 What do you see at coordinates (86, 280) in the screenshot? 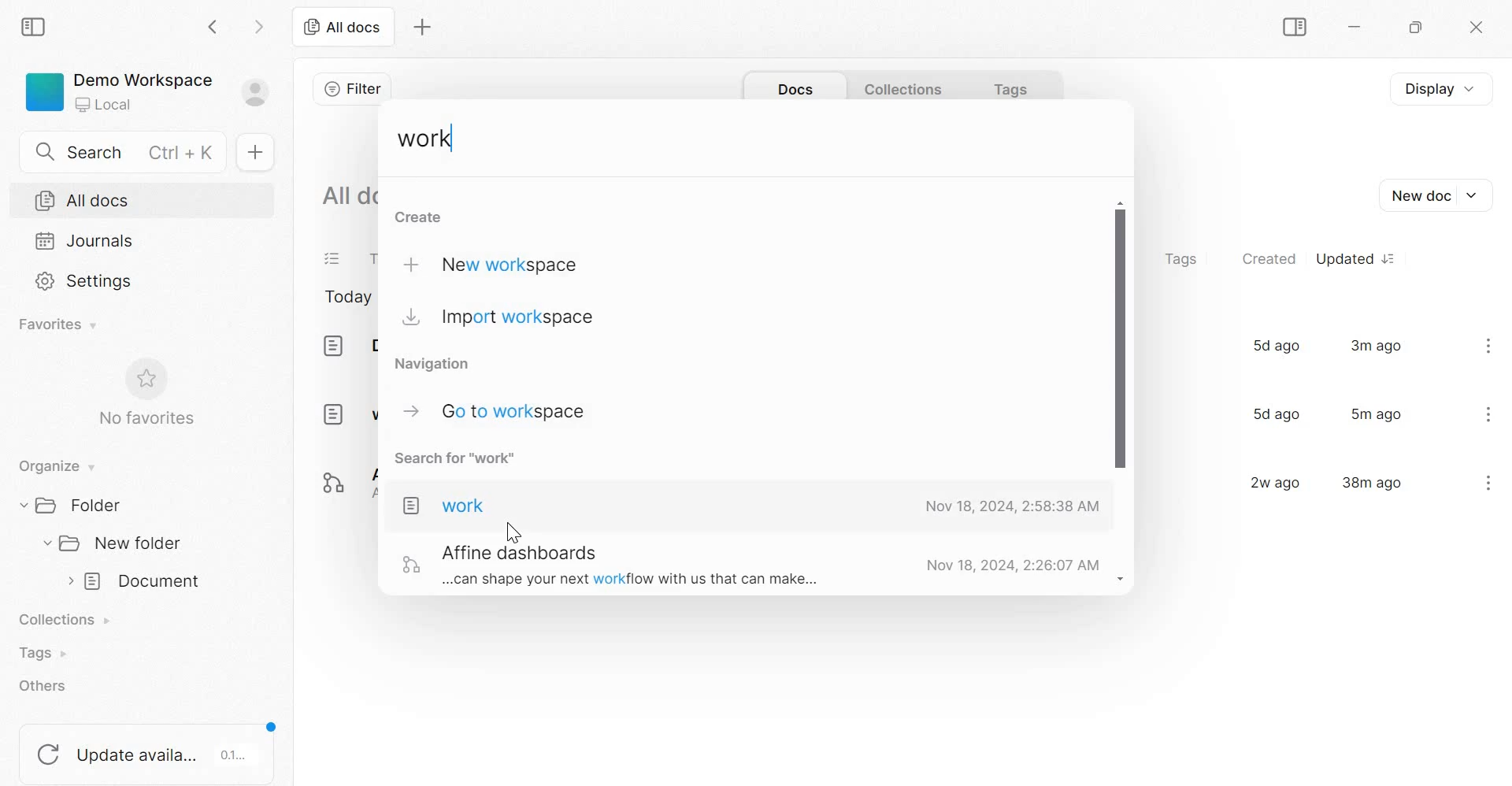
I see `Settings` at bounding box center [86, 280].